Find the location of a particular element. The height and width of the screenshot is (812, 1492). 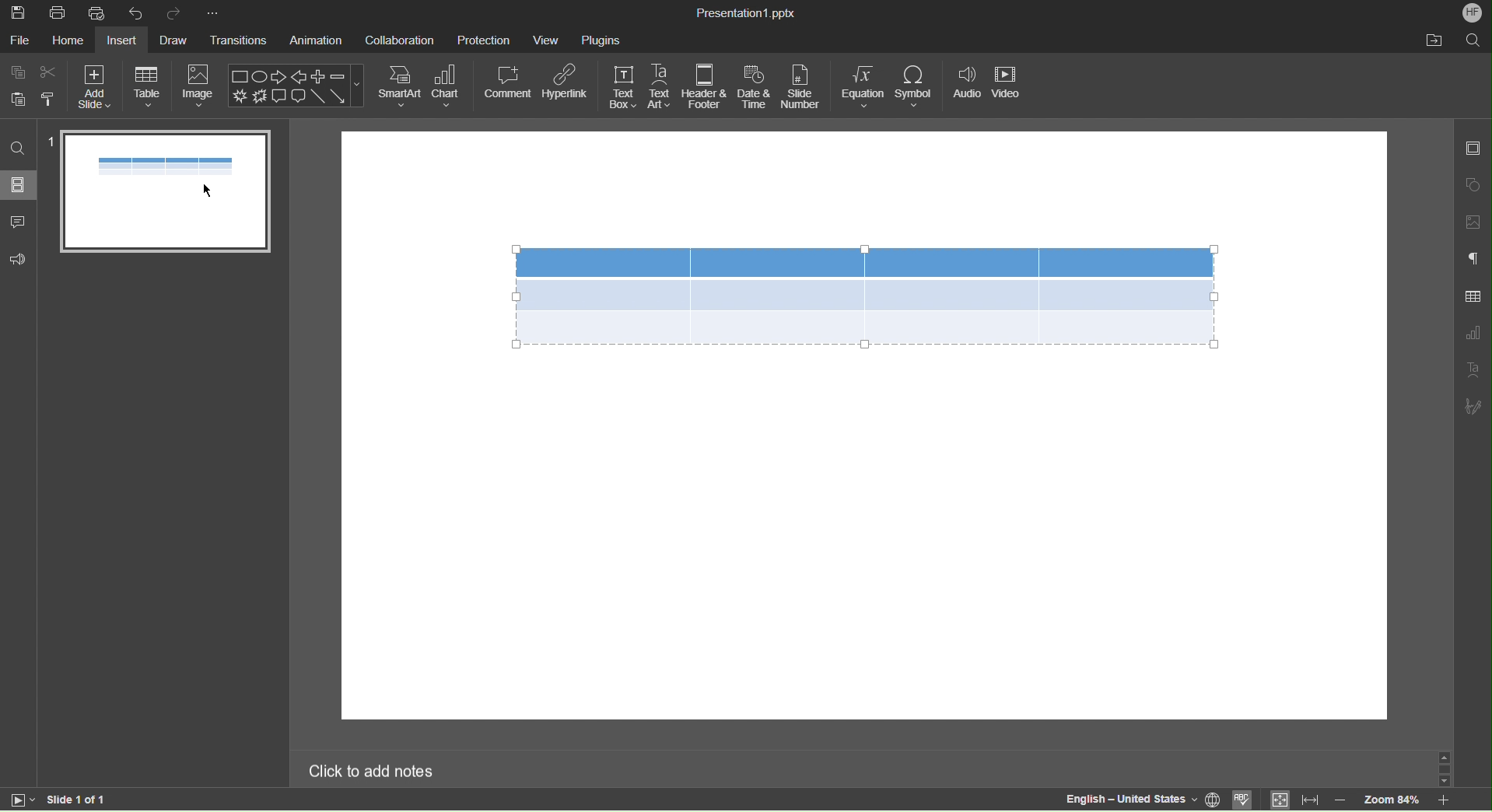

Undo is located at coordinates (140, 12).